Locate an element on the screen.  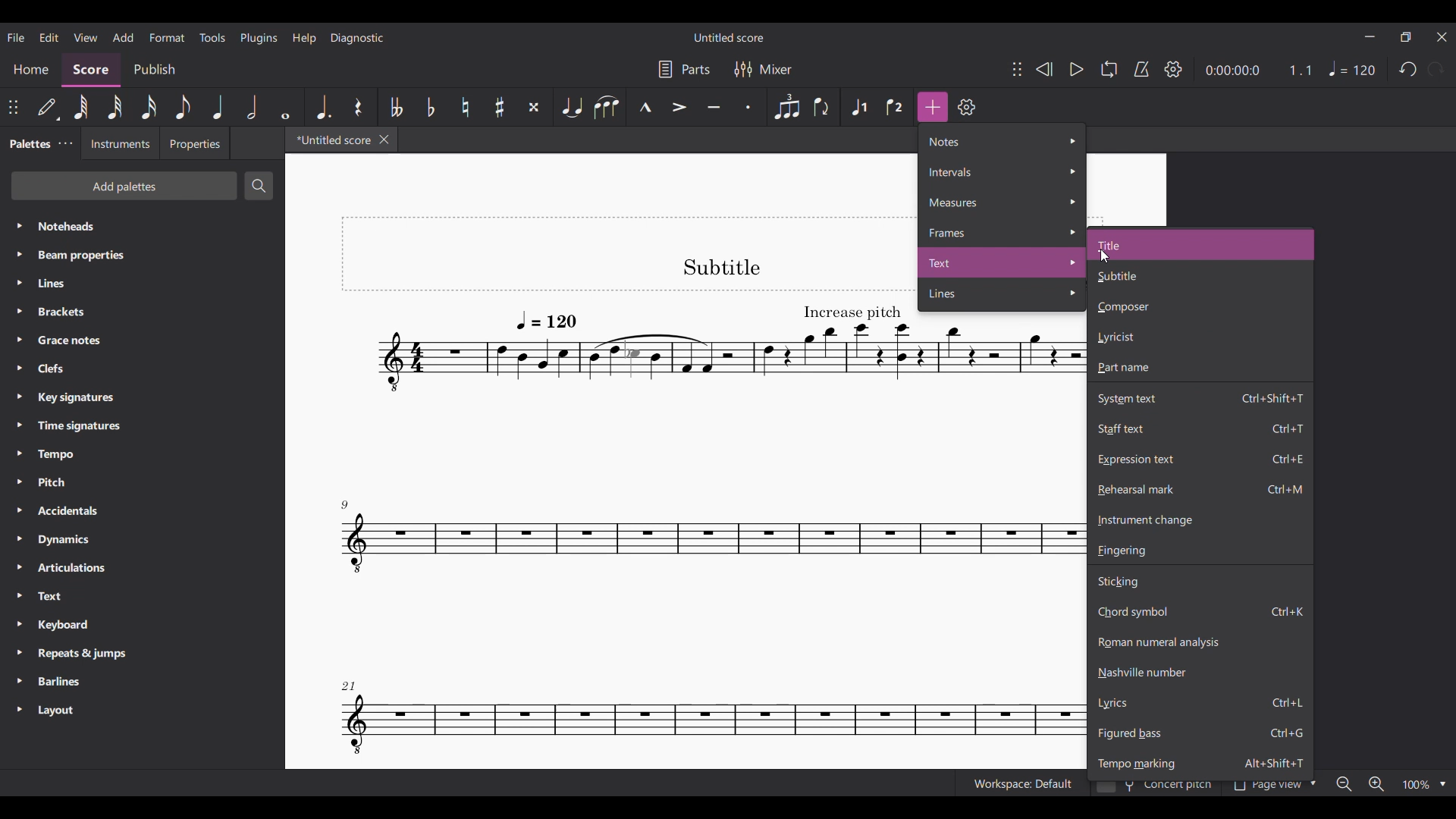
Half note is located at coordinates (253, 107).